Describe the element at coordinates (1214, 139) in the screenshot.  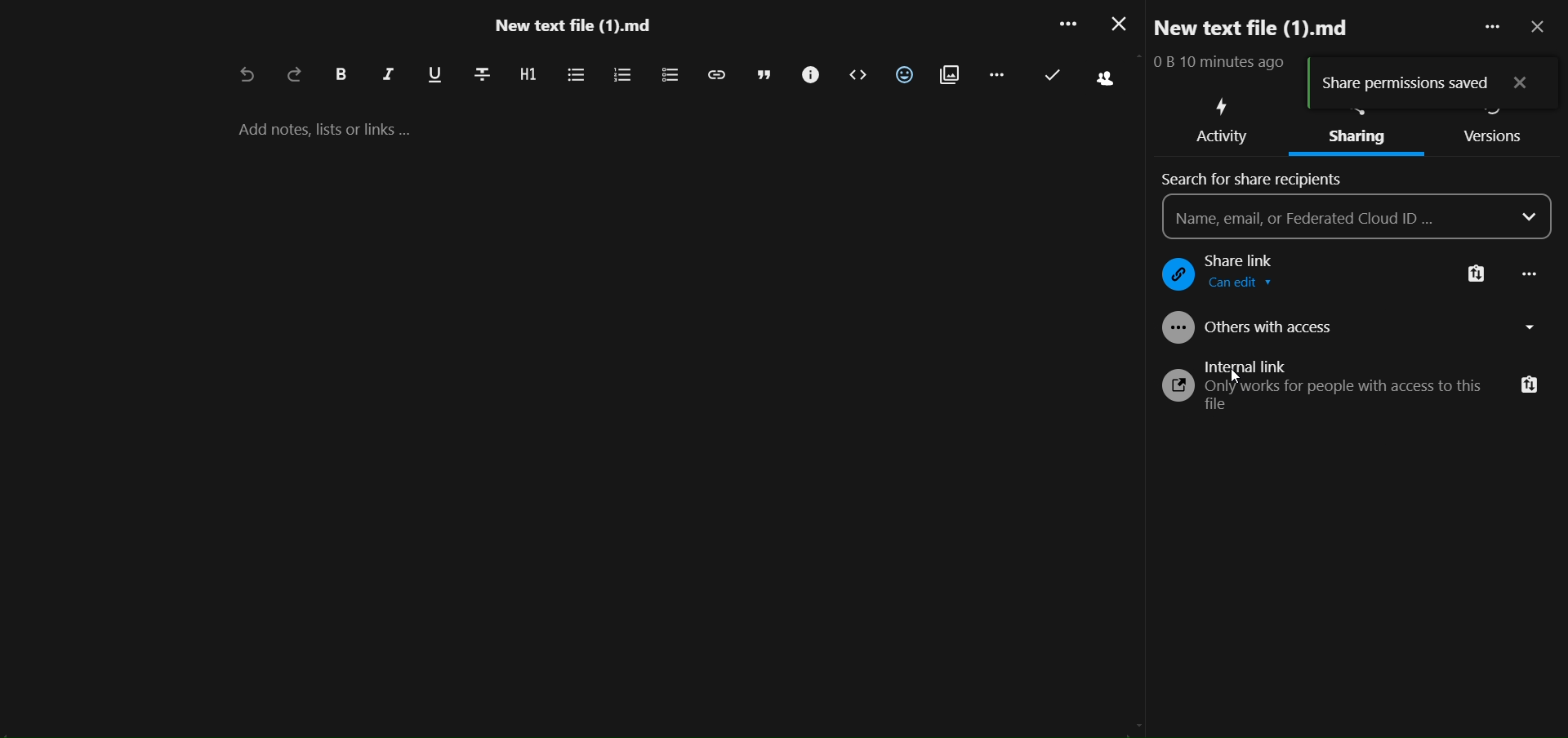
I see `activity` at that location.